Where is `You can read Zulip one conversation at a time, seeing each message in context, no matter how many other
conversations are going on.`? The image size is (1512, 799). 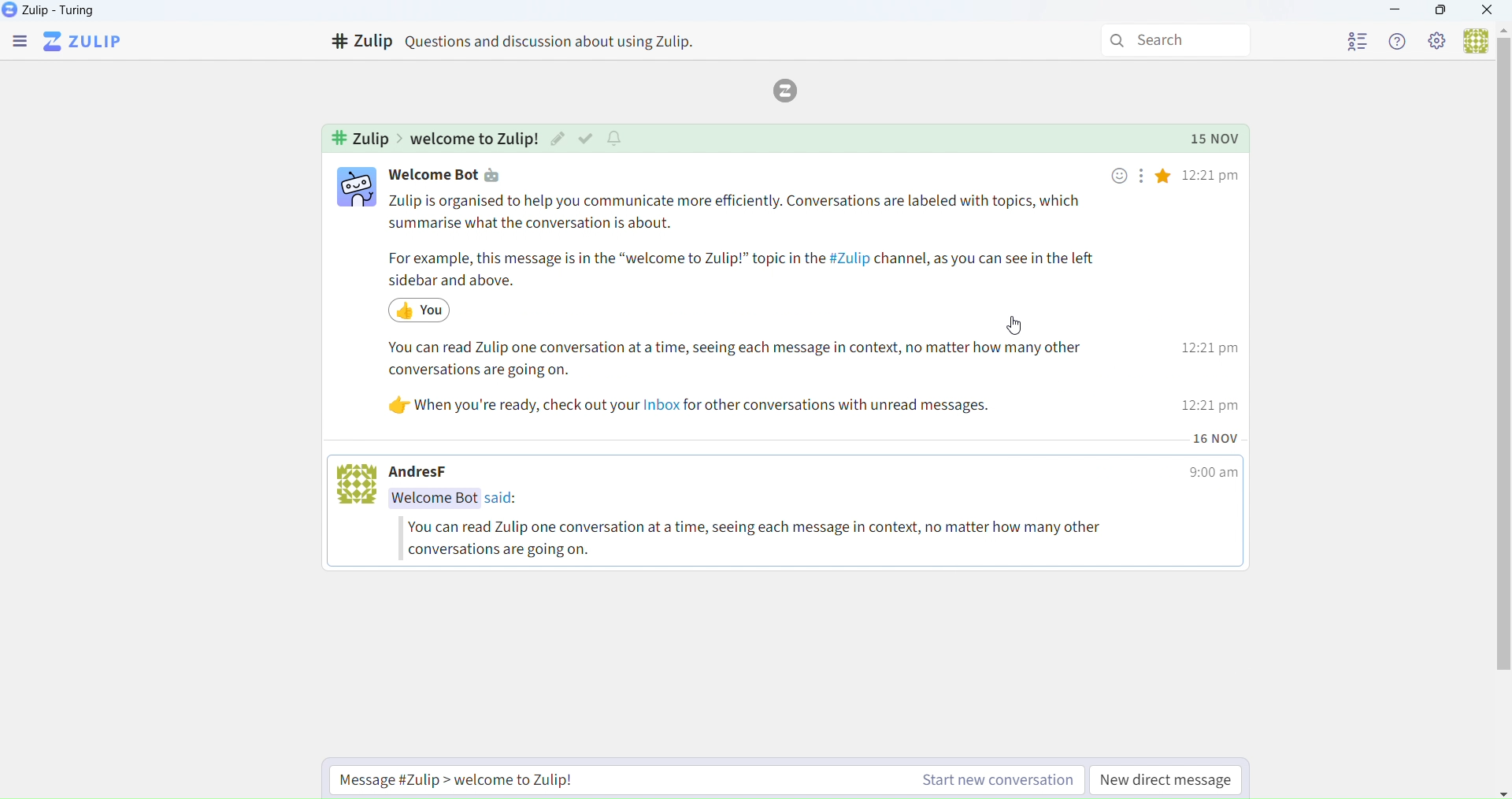 You can read Zulip one conversation at a time, seeing each message in context, no matter how many other
conversations are going on. is located at coordinates (766, 538).